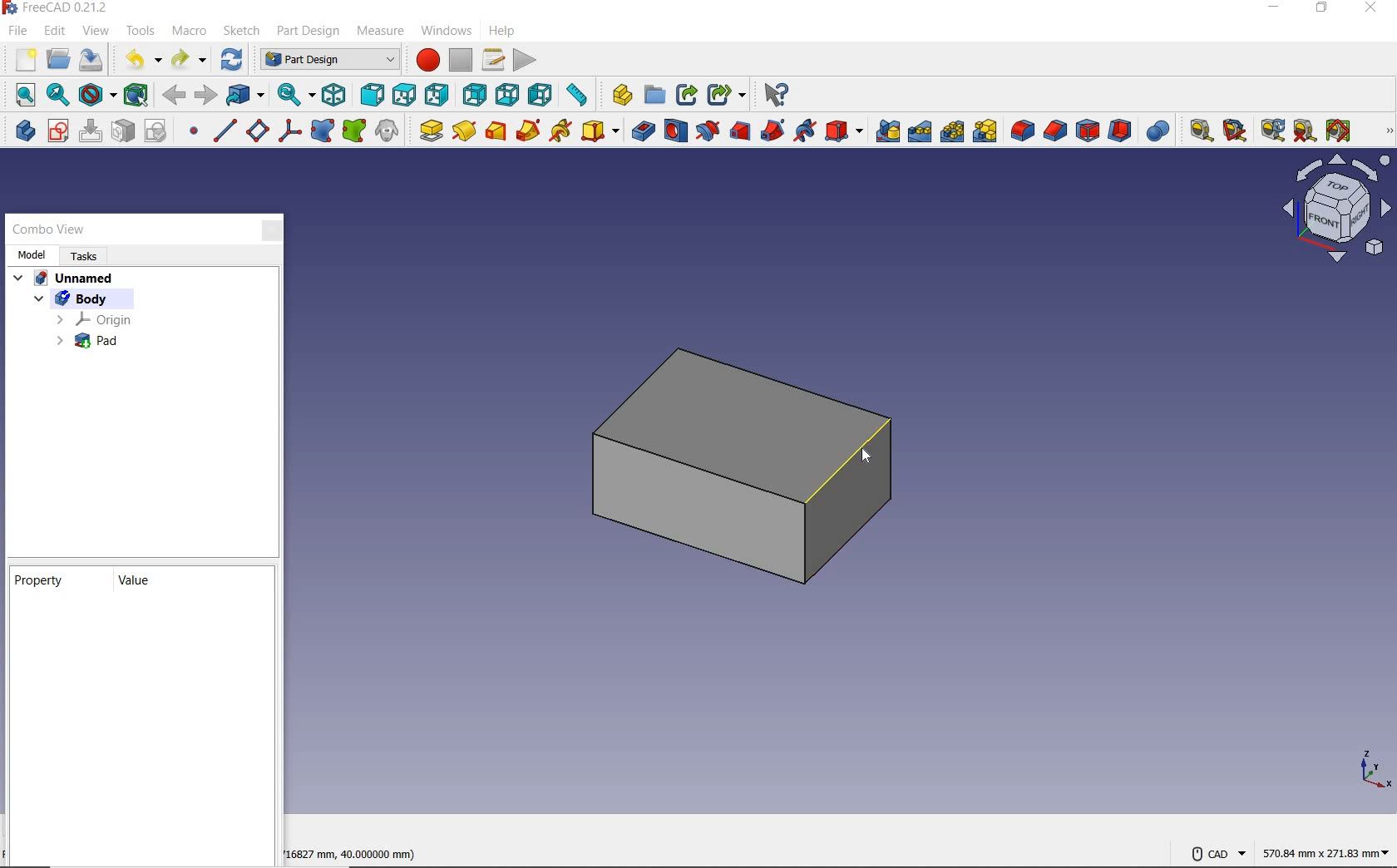 Image resolution: width=1397 pixels, height=868 pixels. Describe the element at coordinates (1338, 131) in the screenshot. I see `toggle all` at that location.